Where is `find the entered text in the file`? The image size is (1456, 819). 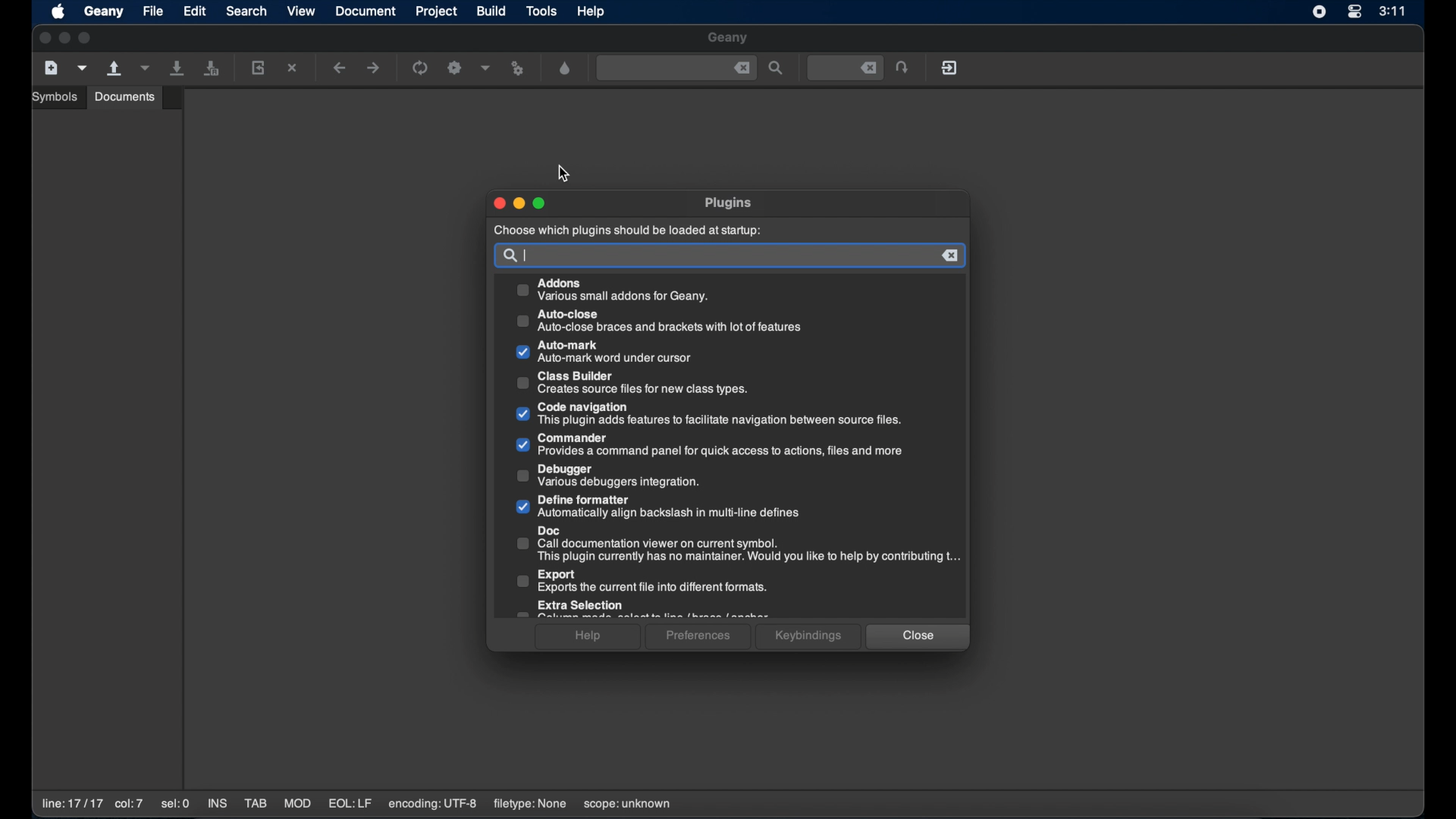
find the entered text in the file is located at coordinates (777, 69).